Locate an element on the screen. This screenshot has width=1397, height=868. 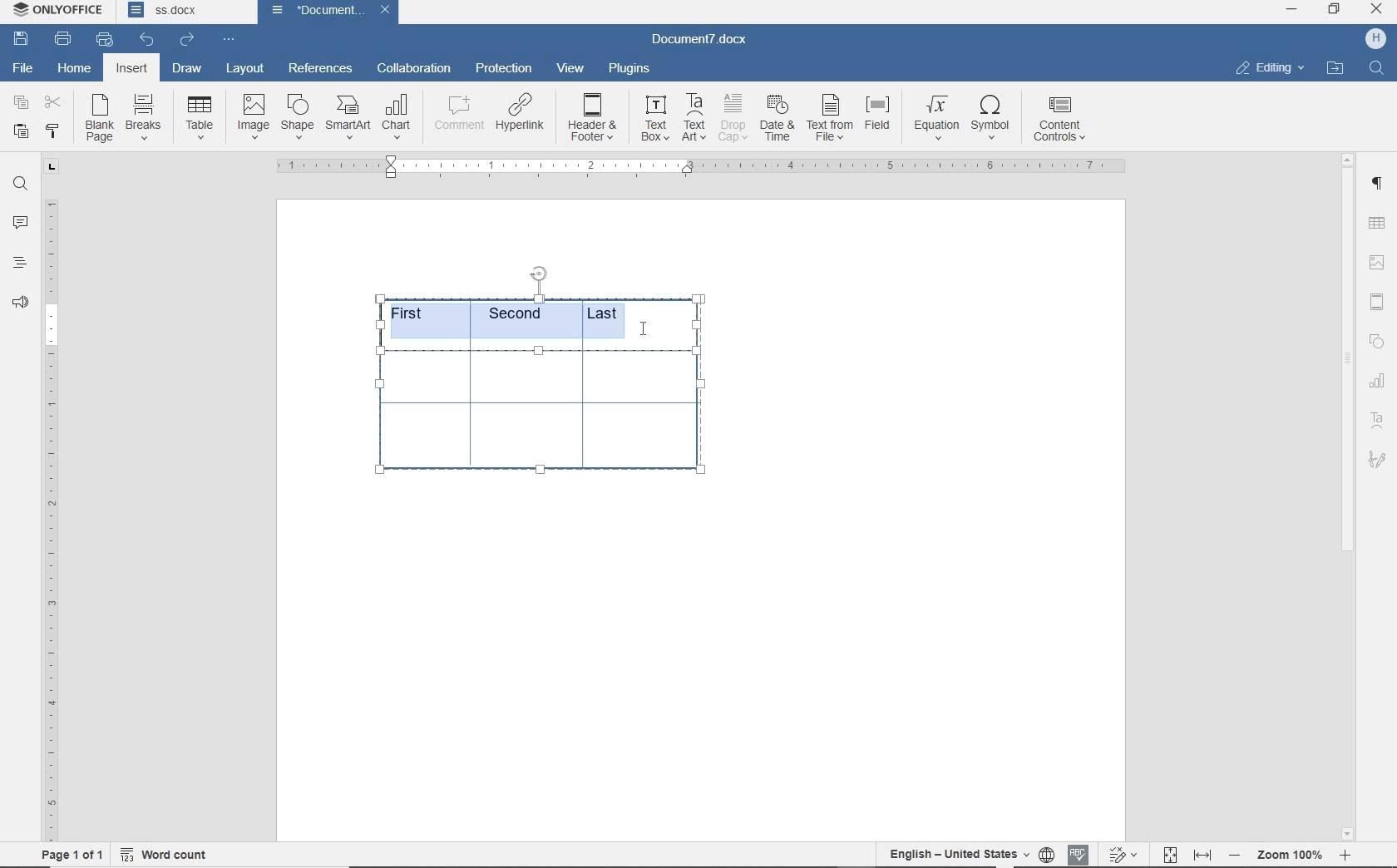
HEADER & FOOTER is located at coordinates (1376, 303).